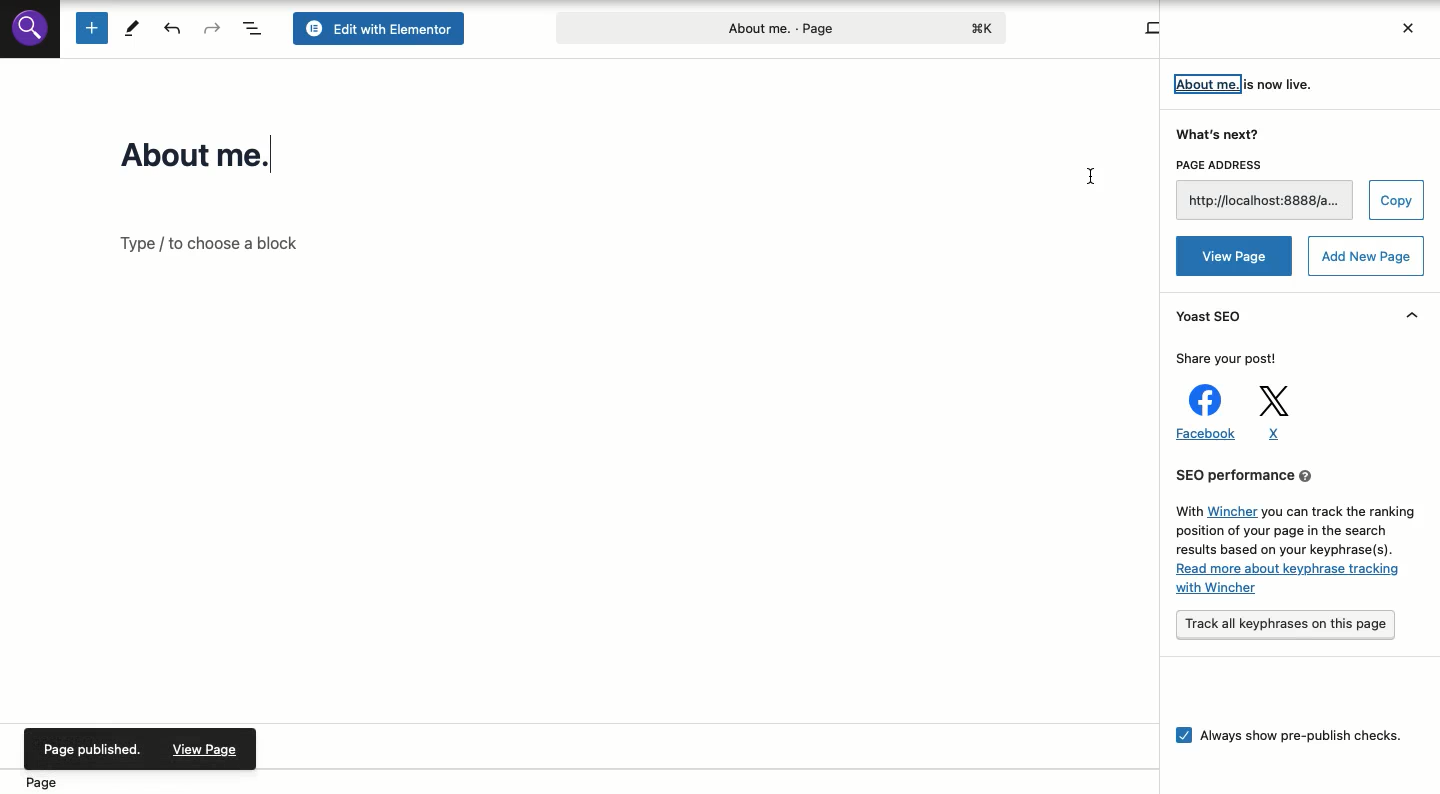 The height and width of the screenshot is (794, 1440). I want to click on Type/ choose a block, so click(225, 244).